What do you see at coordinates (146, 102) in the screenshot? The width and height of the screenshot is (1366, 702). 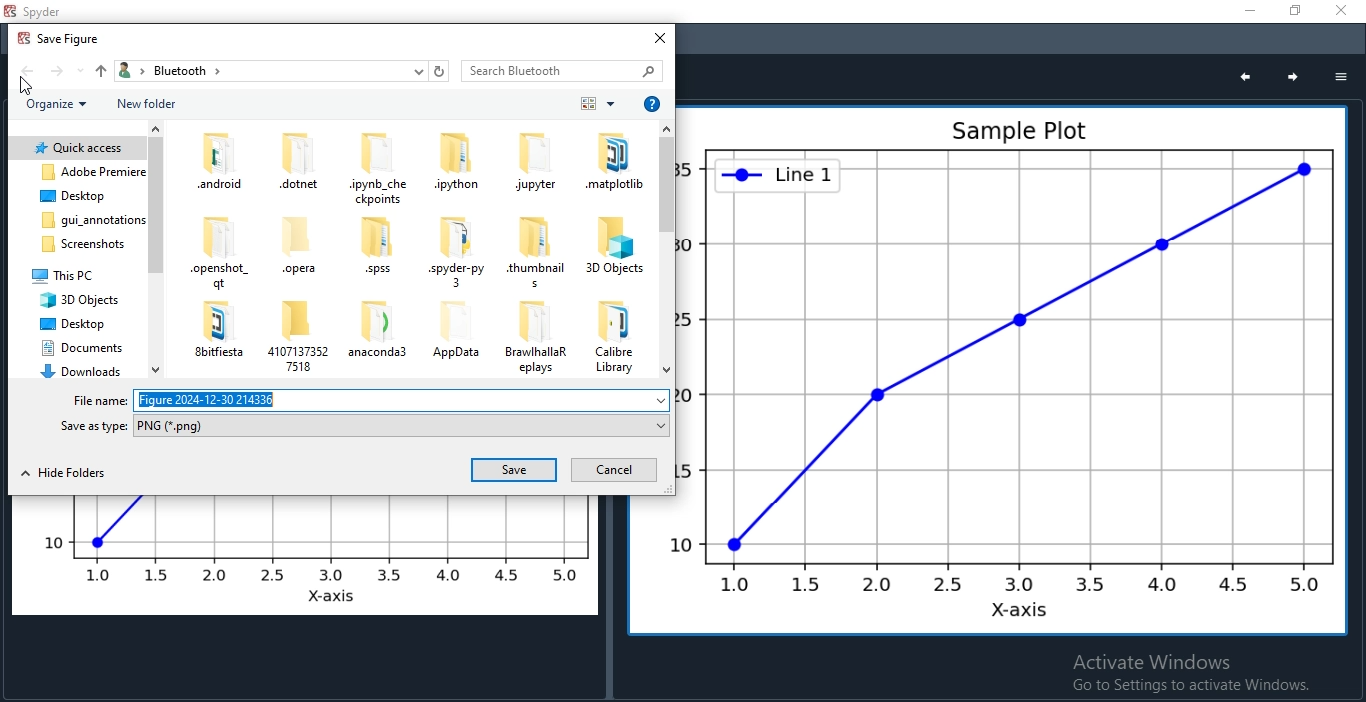 I see `new folder` at bounding box center [146, 102].